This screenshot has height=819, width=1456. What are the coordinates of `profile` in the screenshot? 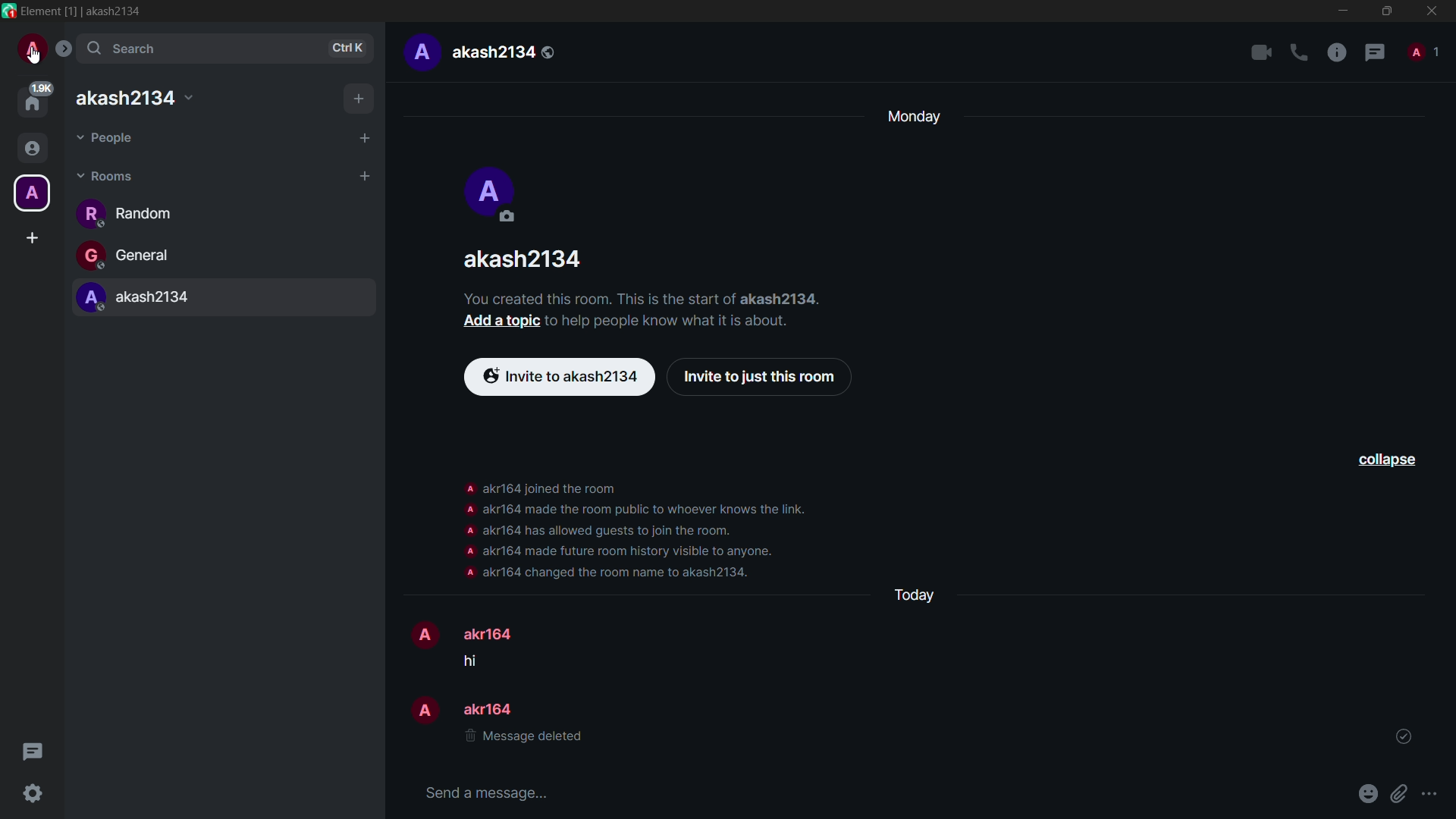 It's located at (468, 488).